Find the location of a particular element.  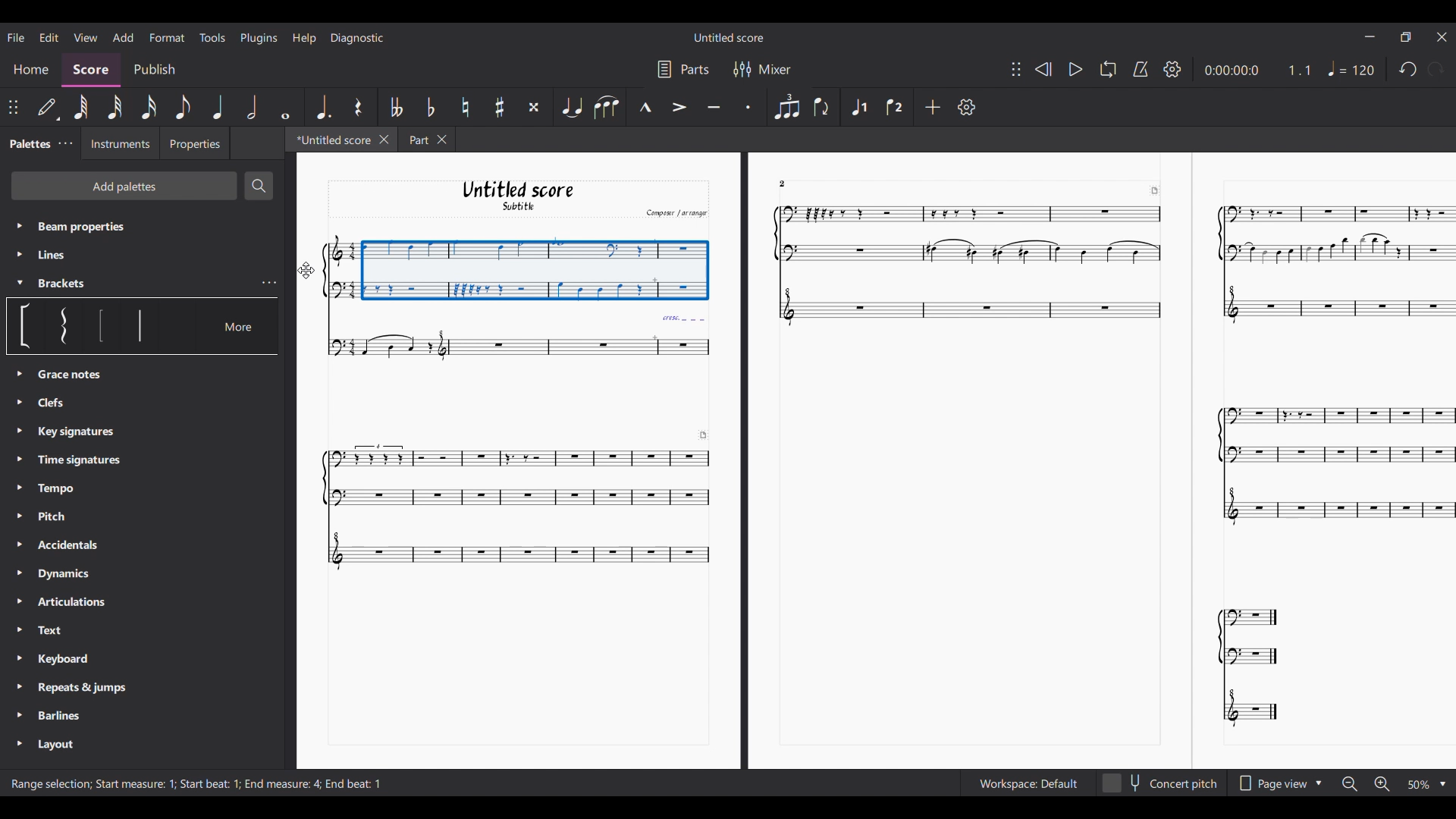

32nd note is located at coordinates (116, 107).